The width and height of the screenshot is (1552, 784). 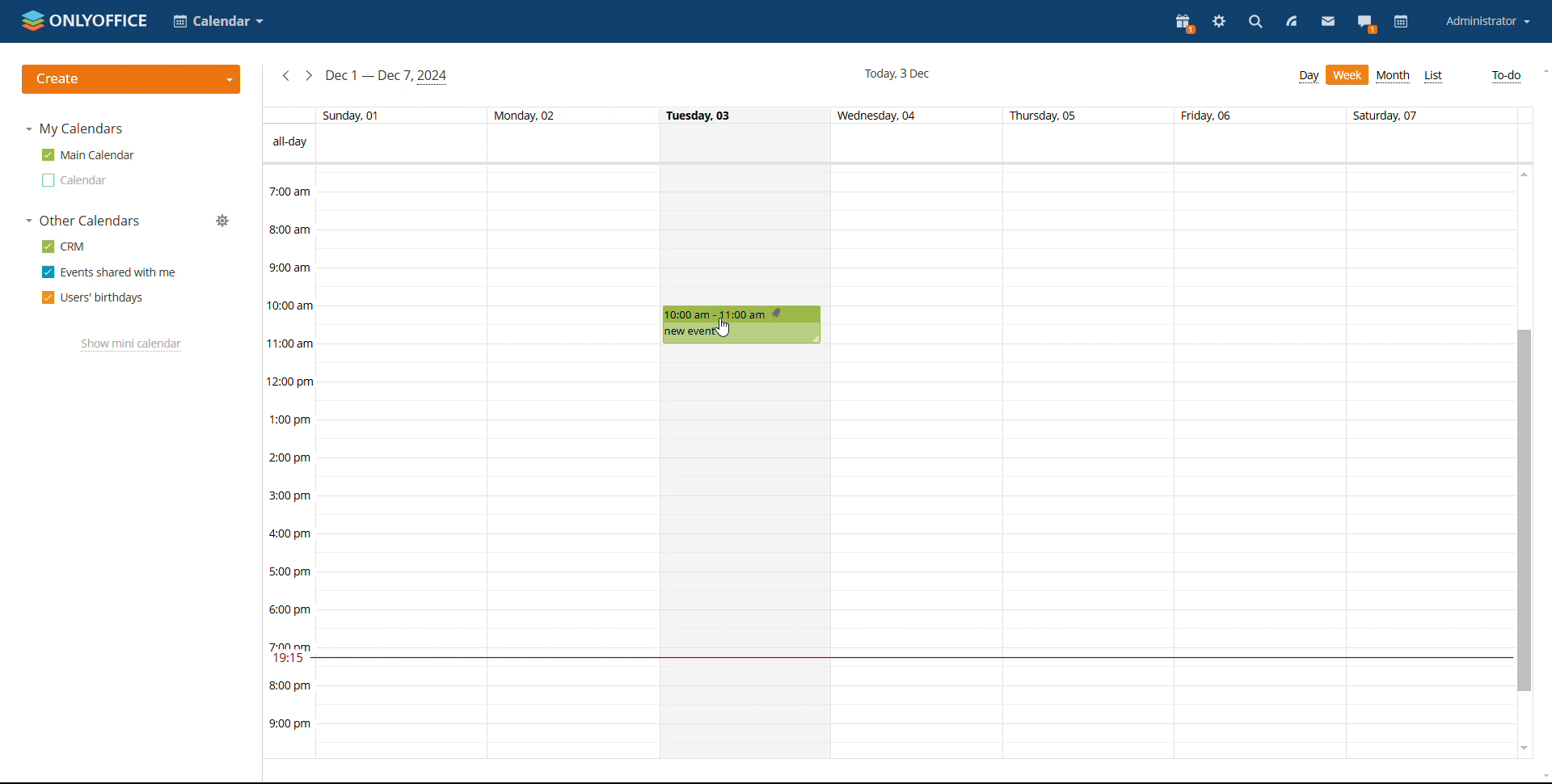 What do you see at coordinates (1525, 748) in the screenshot?
I see `scroll down` at bounding box center [1525, 748].